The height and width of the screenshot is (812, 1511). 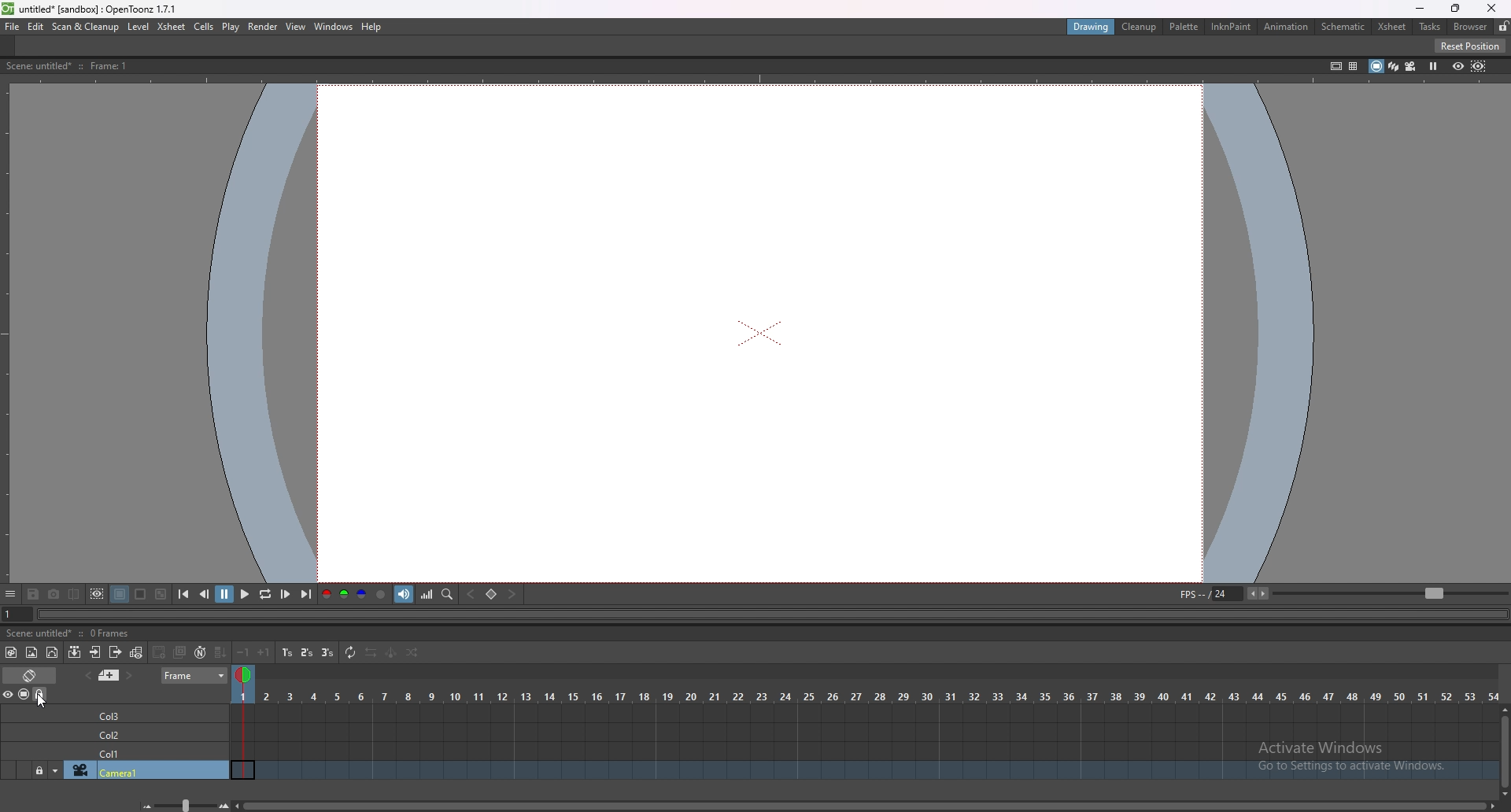 I want to click on compare to snapshot, so click(x=76, y=594).